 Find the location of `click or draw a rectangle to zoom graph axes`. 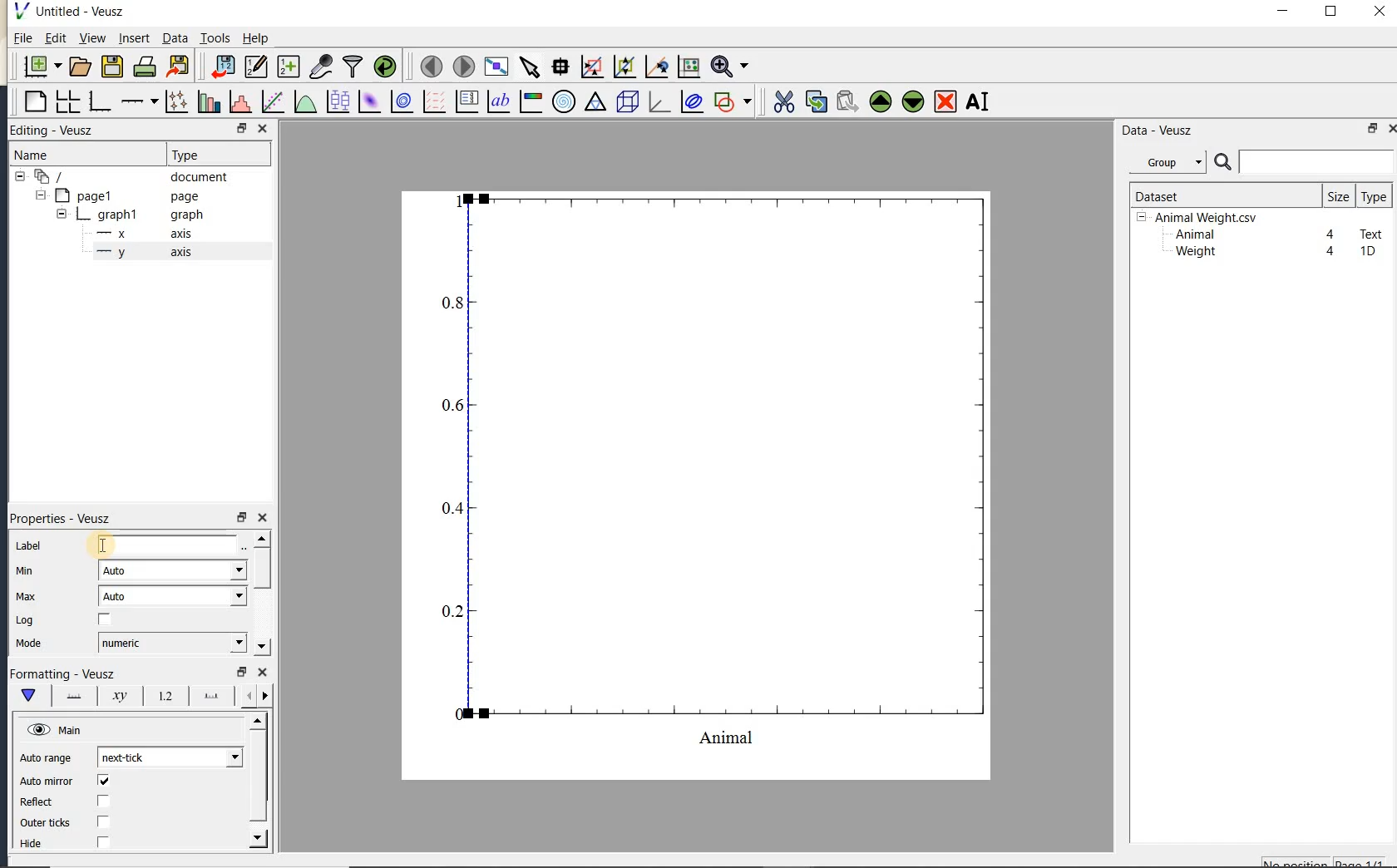

click or draw a rectangle to zoom graph axes is located at coordinates (591, 67).